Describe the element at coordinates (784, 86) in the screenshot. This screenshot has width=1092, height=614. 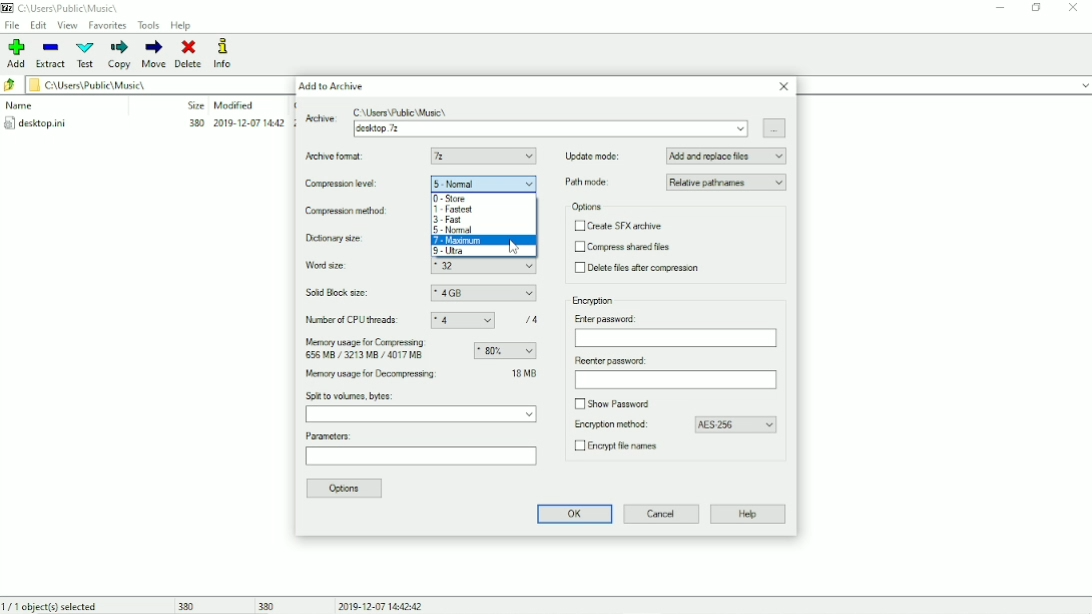
I see `Close` at that location.